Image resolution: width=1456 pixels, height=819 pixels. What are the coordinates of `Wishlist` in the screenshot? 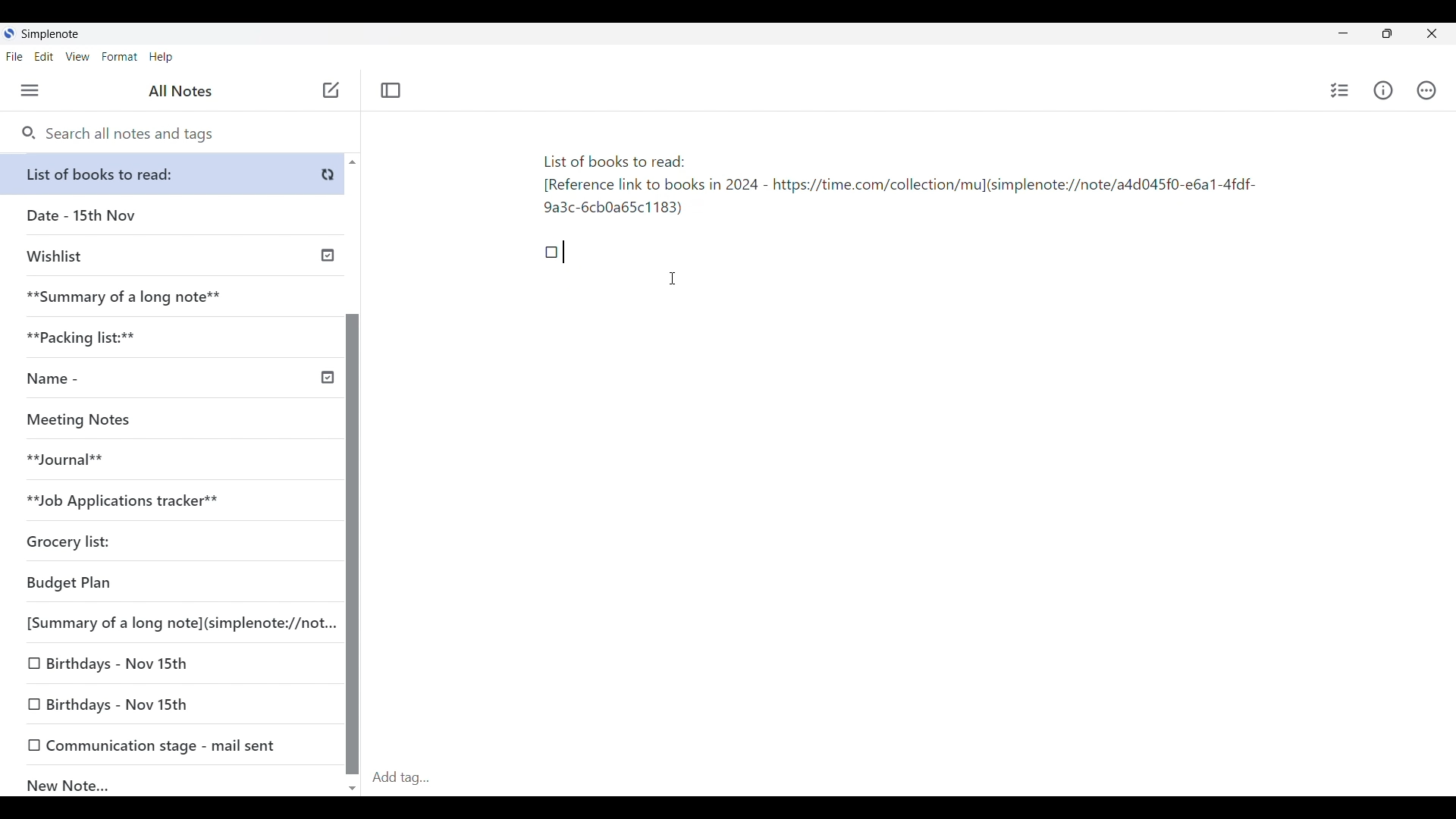 It's located at (176, 254).